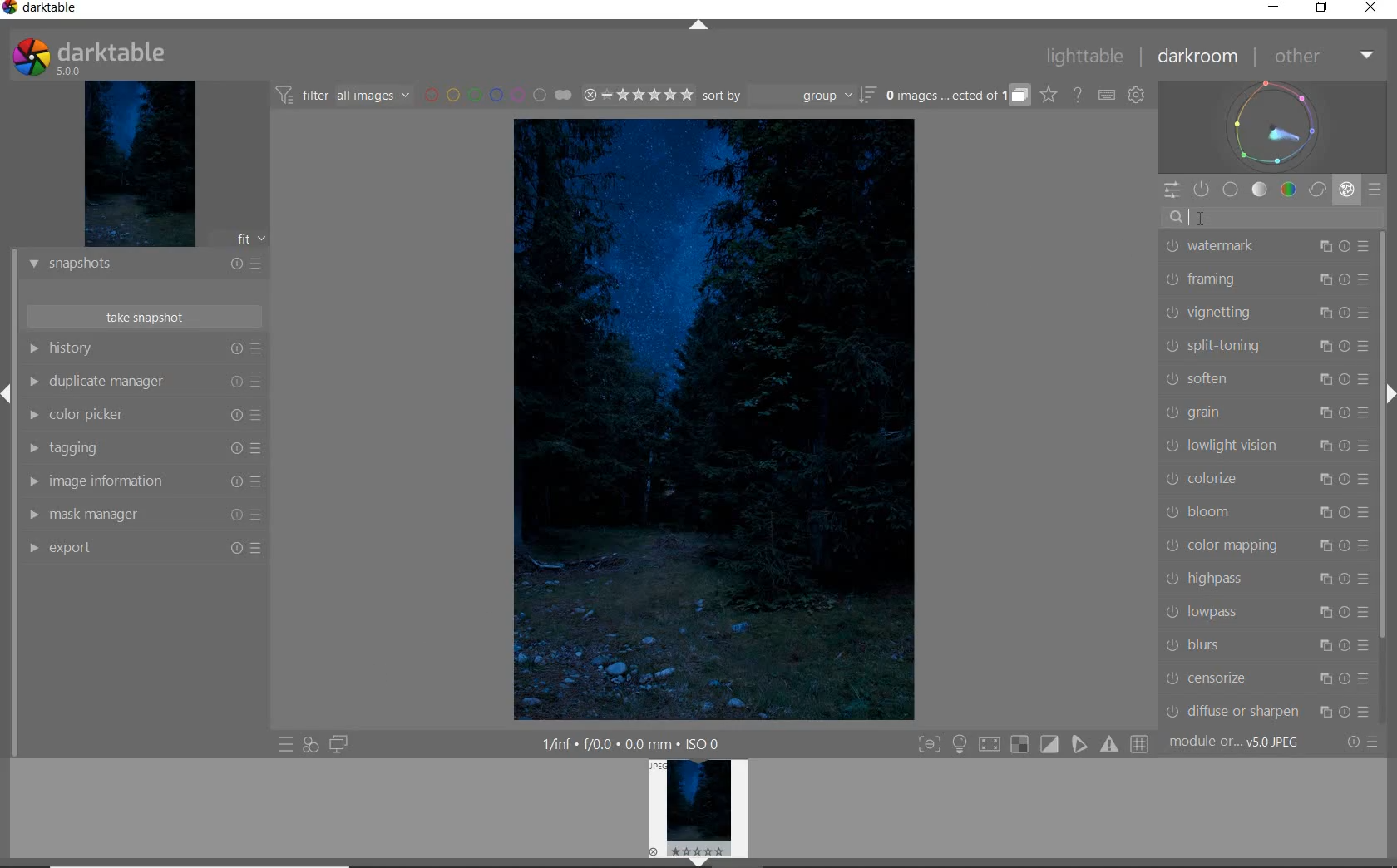 The height and width of the screenshot is (868, 1397). Describe the element at coordinates (142, 515) in the screenshot. I see `MASK MANAGER` at that location.